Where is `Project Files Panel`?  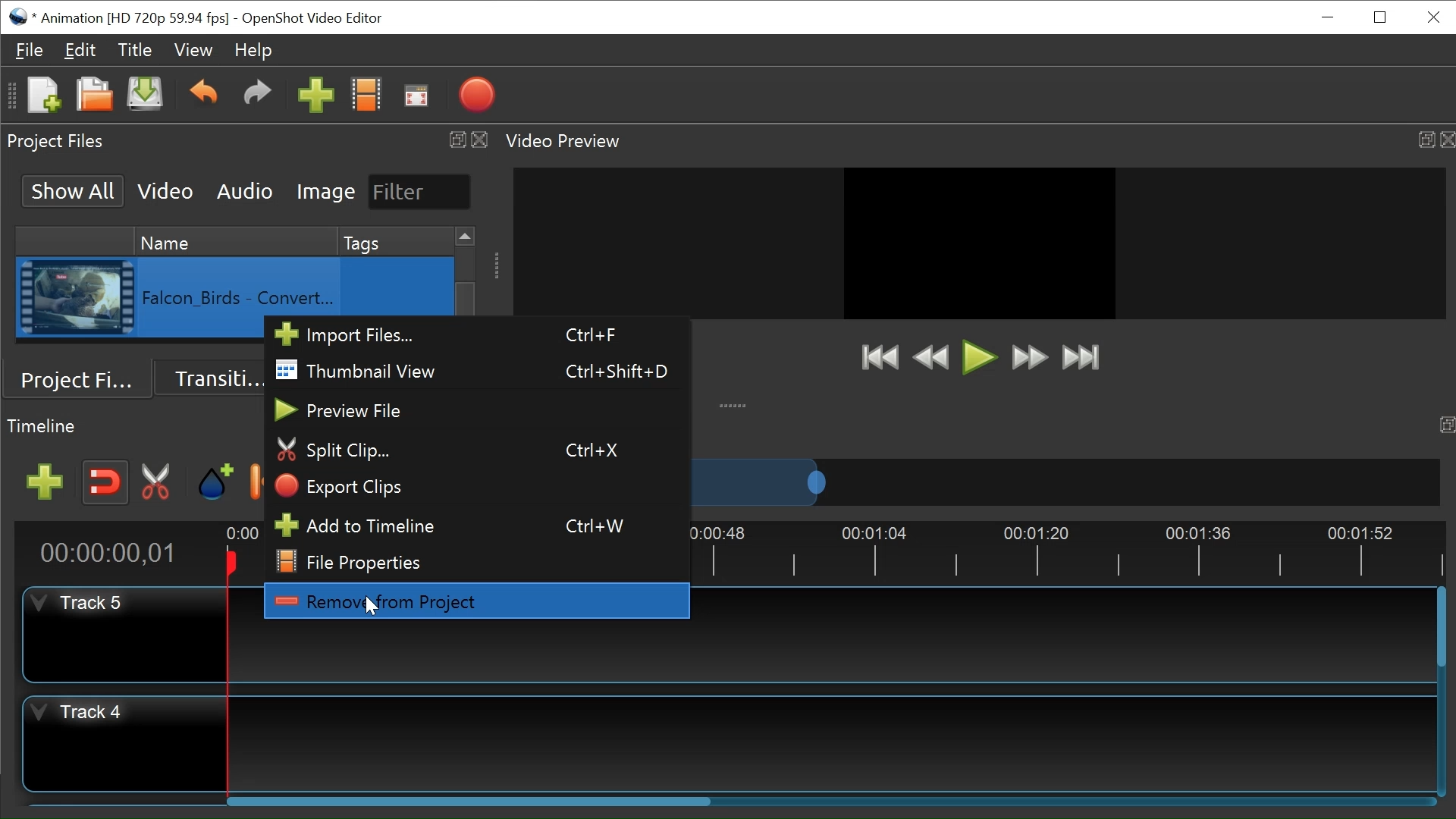 Project Files Panel is located at coordinates (58, 142).